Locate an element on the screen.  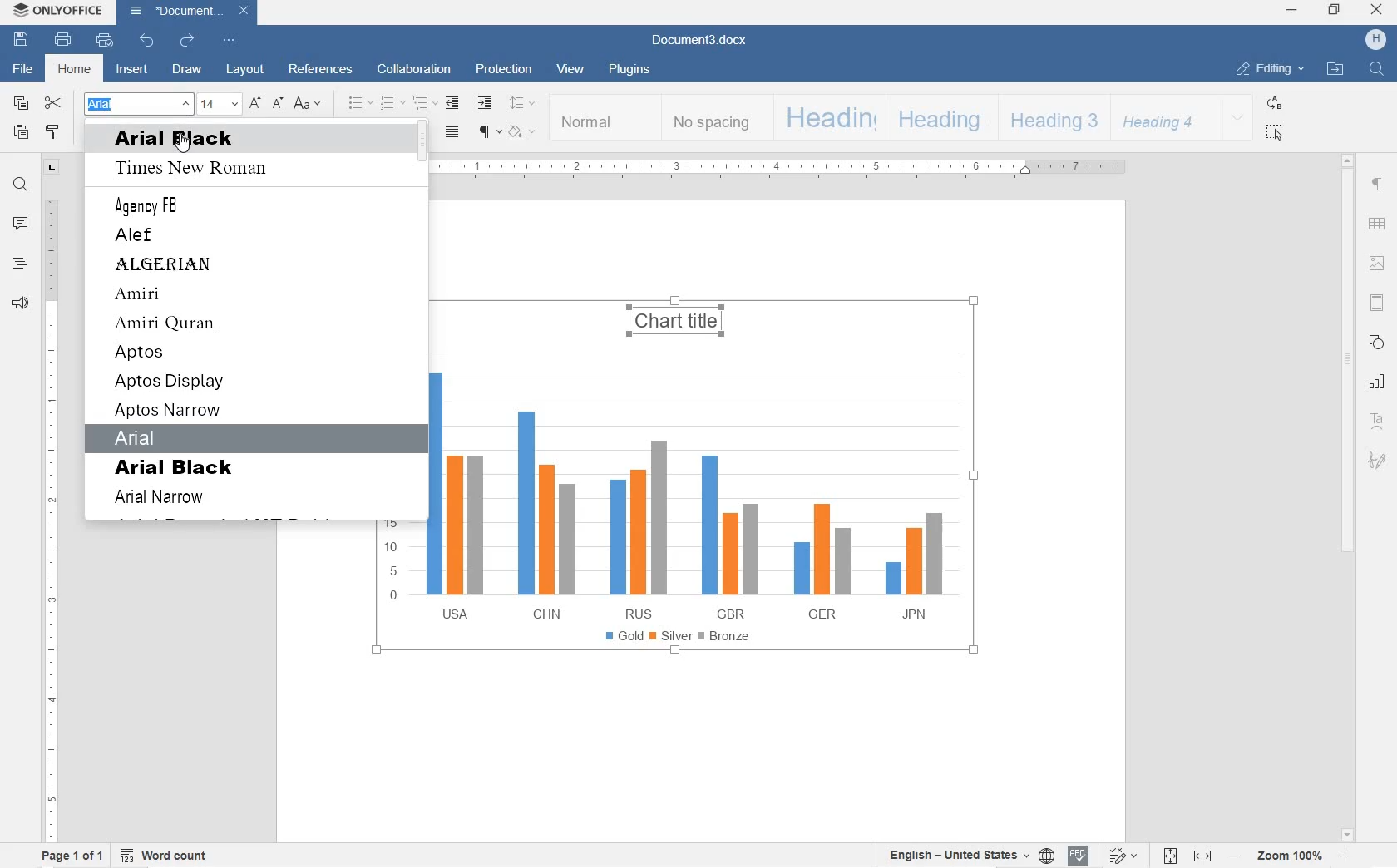
BULLET is located at coordinates (360, 104).